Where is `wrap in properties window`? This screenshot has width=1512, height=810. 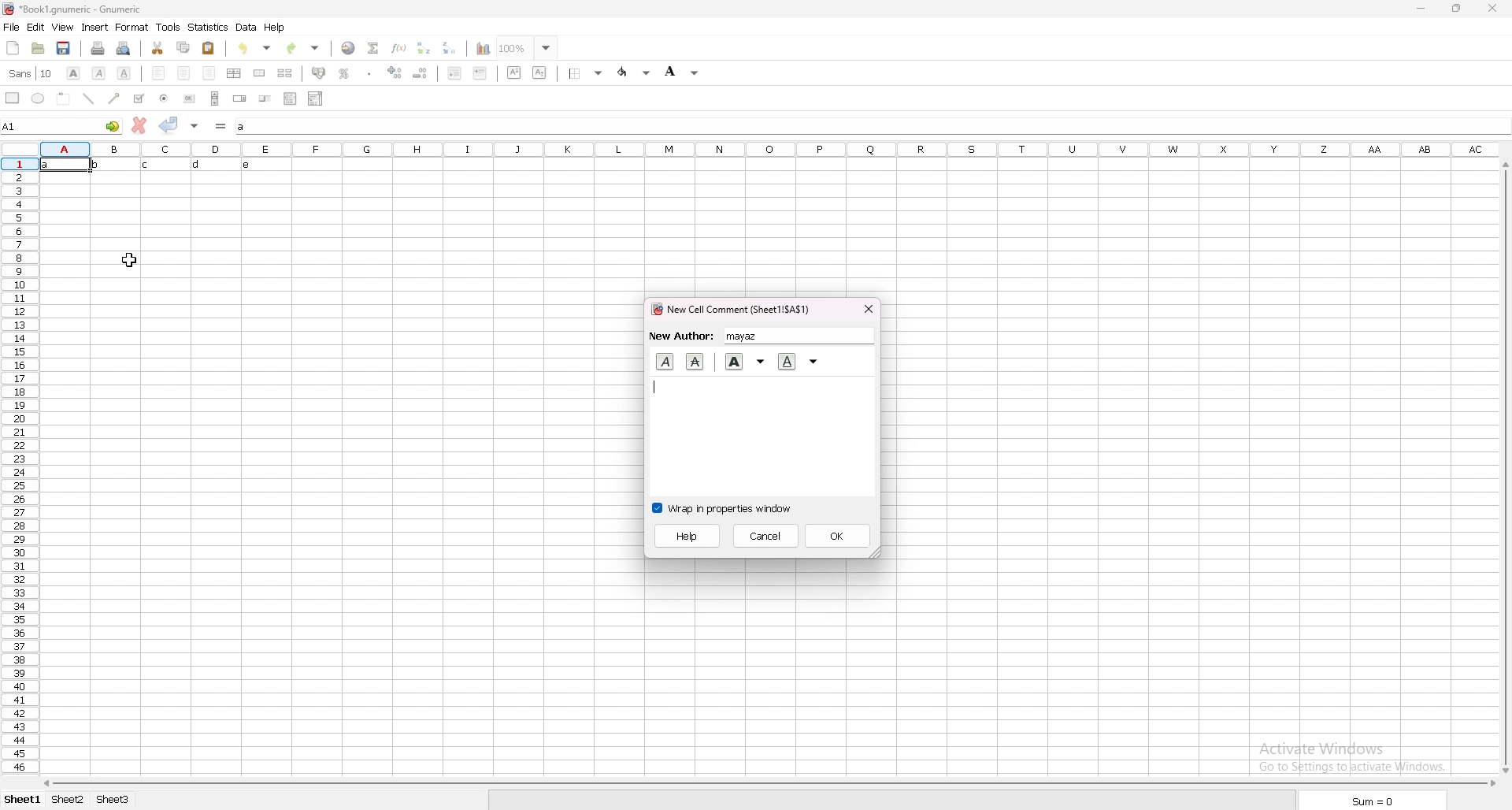
wrap in properties window is located at coordinates (724, 507).